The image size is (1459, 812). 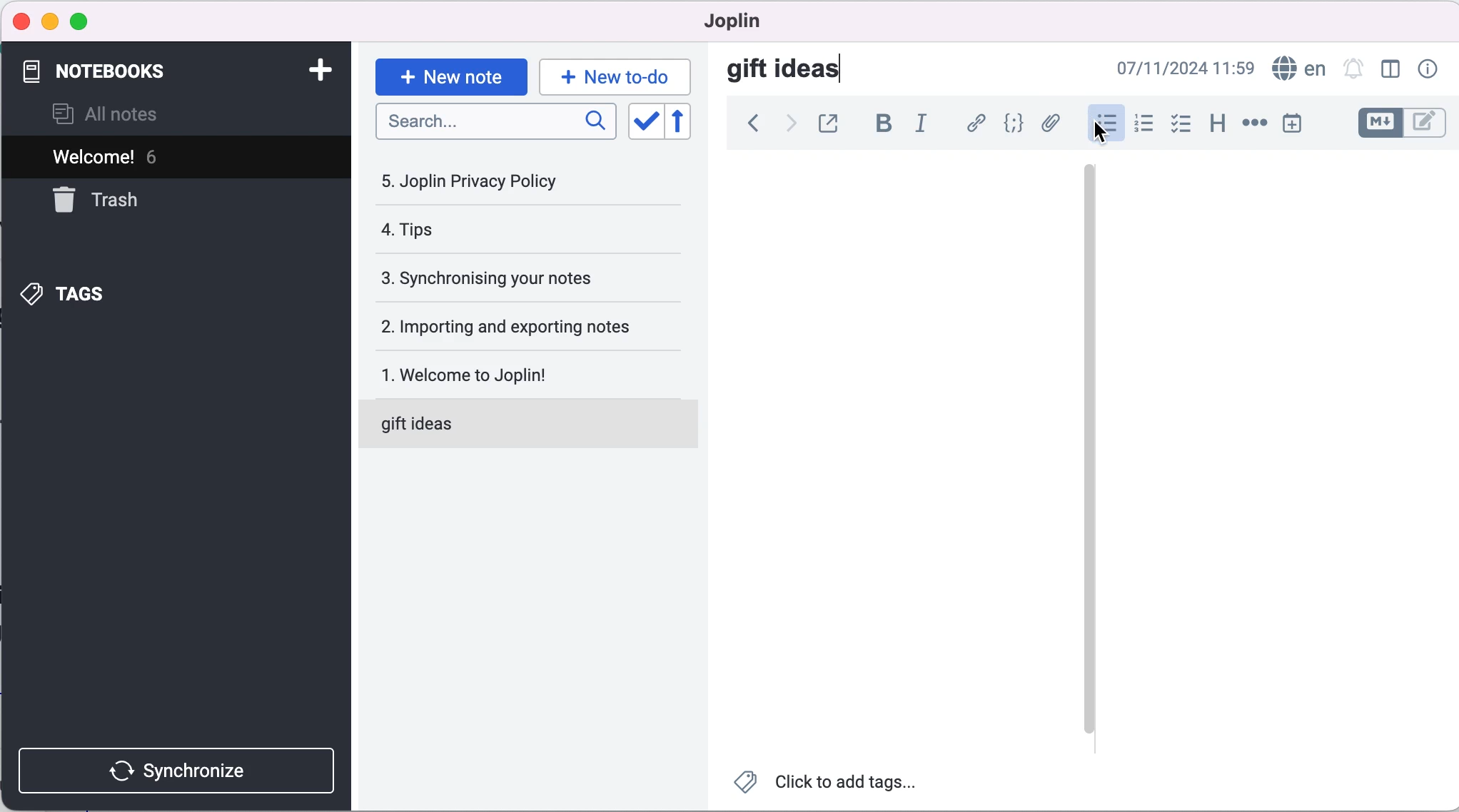 What do you see at coordinates (519, 276) in the screenshot?
I see `synchronising your notes` at bounding box center [519, 276].